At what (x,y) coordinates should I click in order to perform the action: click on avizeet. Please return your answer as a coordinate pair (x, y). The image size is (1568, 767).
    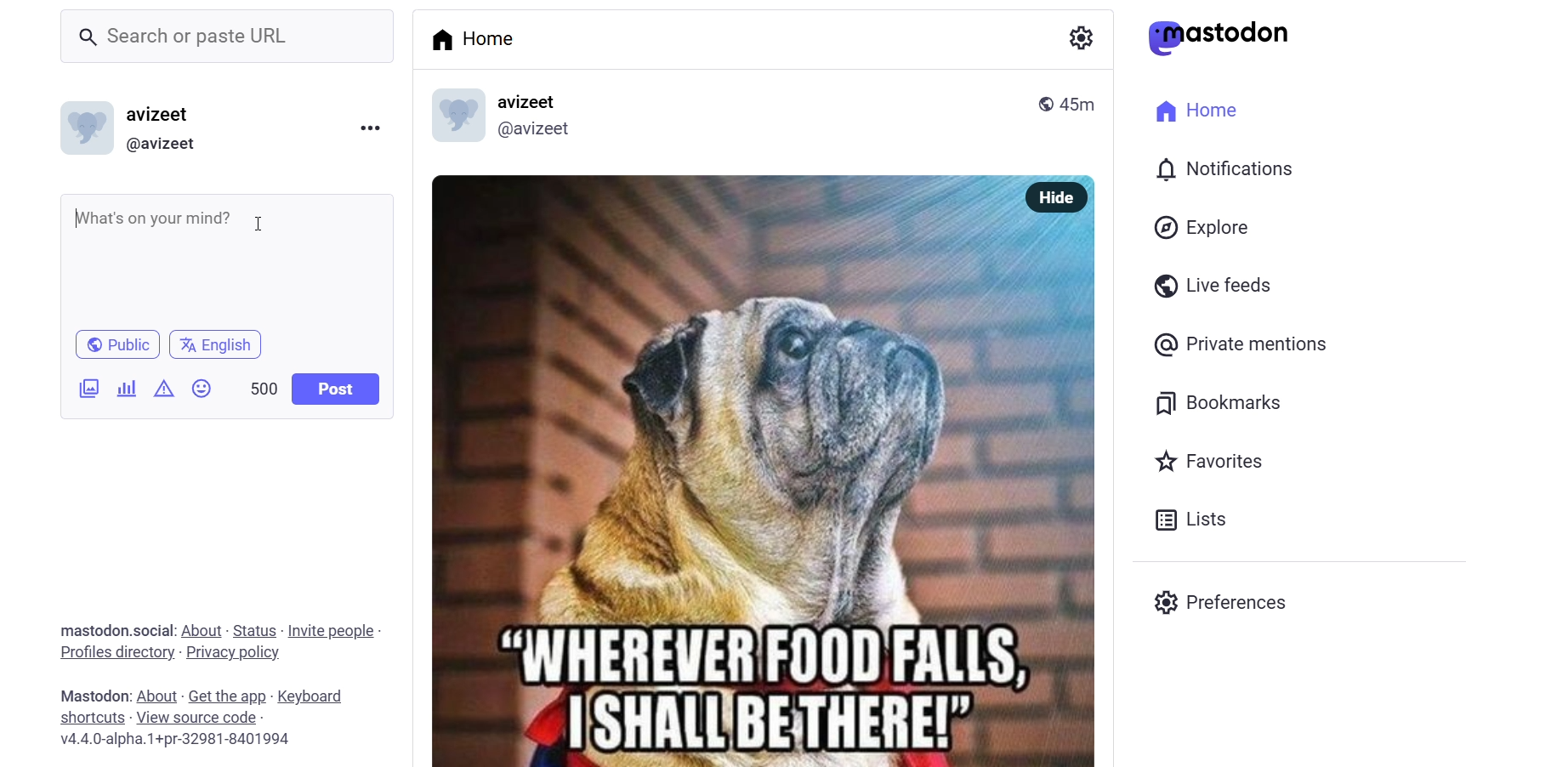
    Looking at the image, I should click on (543, 104).